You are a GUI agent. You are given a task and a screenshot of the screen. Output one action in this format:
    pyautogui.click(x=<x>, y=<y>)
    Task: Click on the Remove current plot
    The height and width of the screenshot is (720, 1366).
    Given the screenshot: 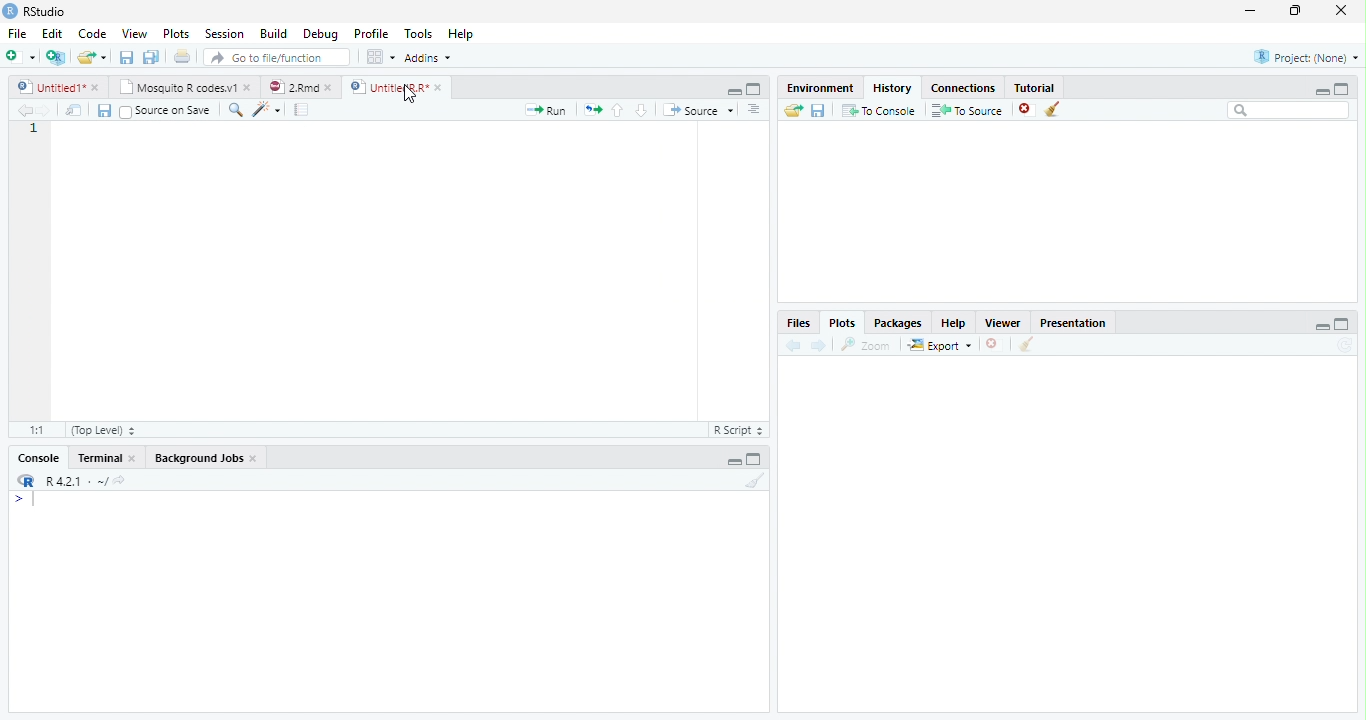 What is the action you would take?
    pyautogui.click(x=995, y=344)
    